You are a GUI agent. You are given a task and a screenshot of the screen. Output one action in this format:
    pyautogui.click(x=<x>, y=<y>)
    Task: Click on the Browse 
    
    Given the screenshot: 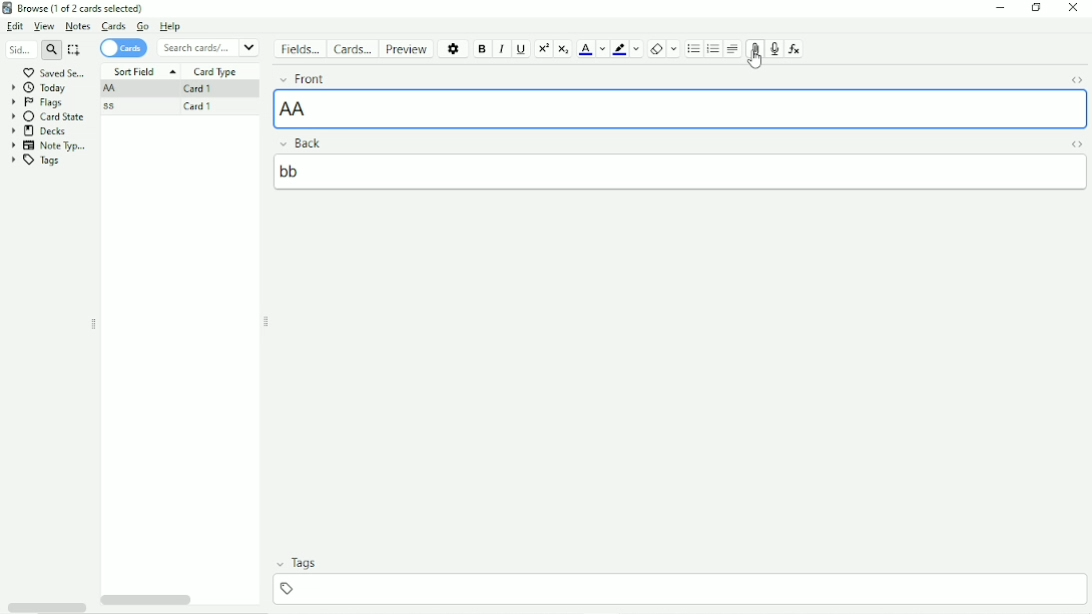 What is the action you would take?
    pyautogui.click(x=76, y=8)
    